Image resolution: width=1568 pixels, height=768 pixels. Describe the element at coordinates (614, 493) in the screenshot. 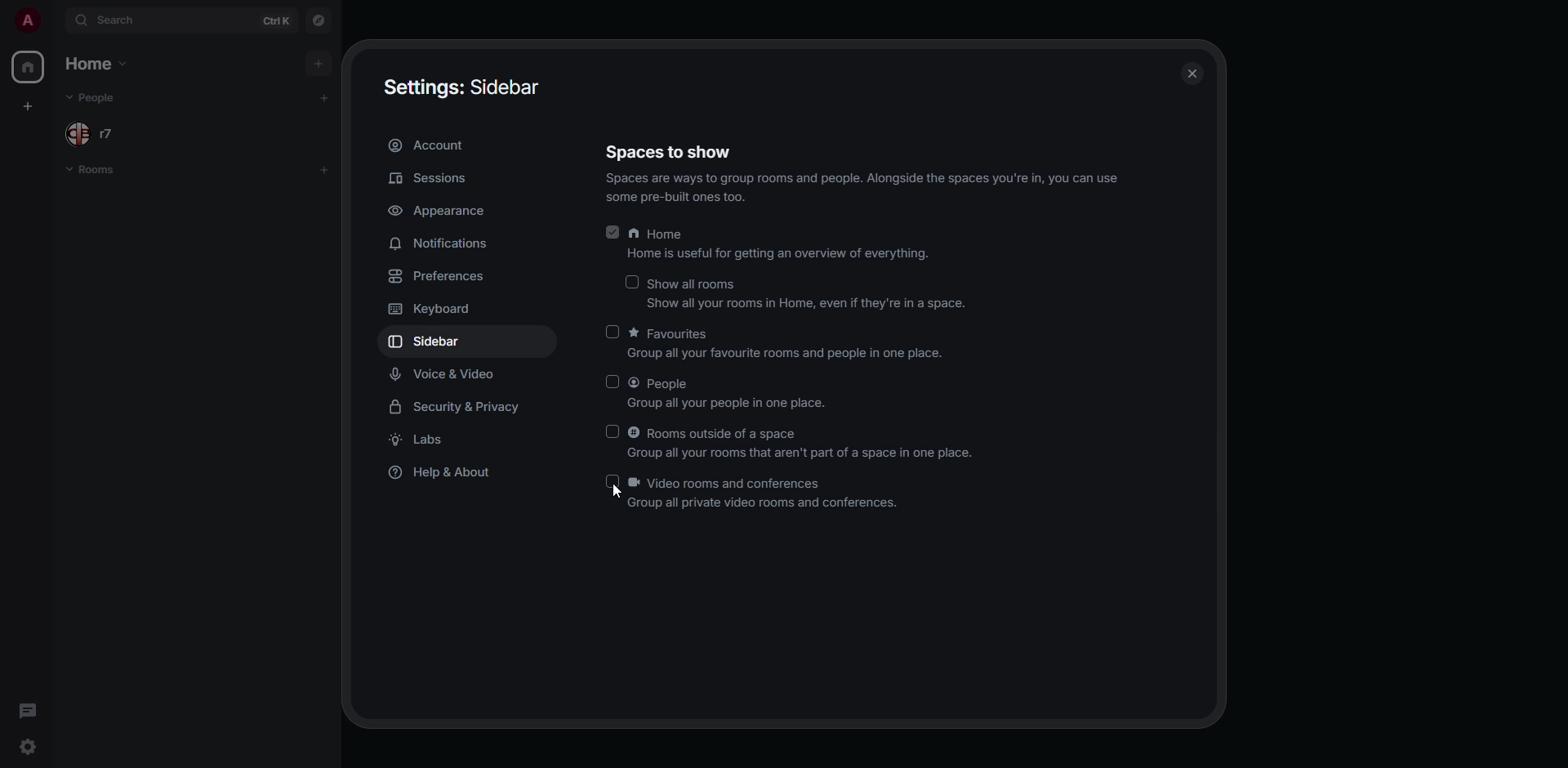

I see `cursor` at that location.